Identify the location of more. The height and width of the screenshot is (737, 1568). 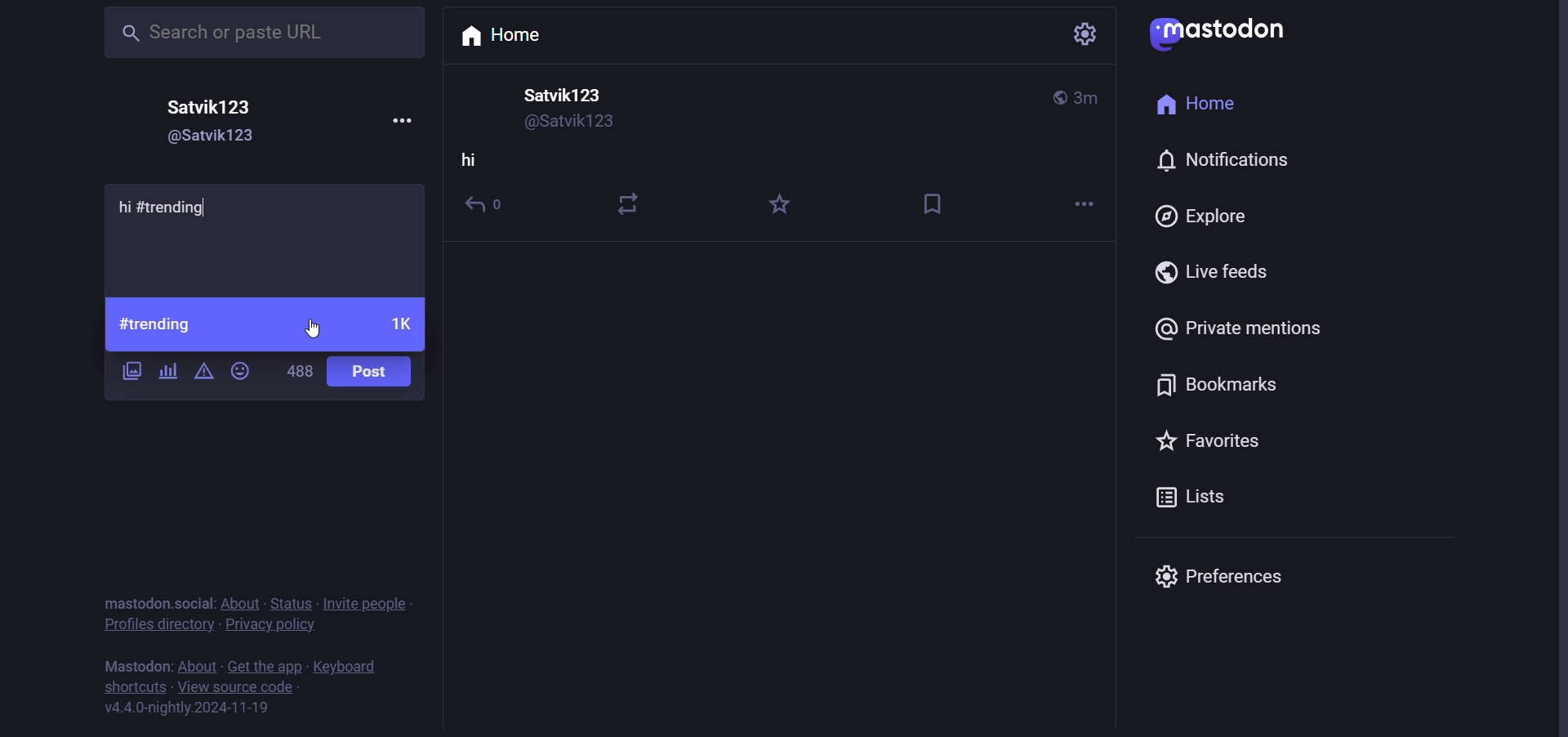
(1079, 205).